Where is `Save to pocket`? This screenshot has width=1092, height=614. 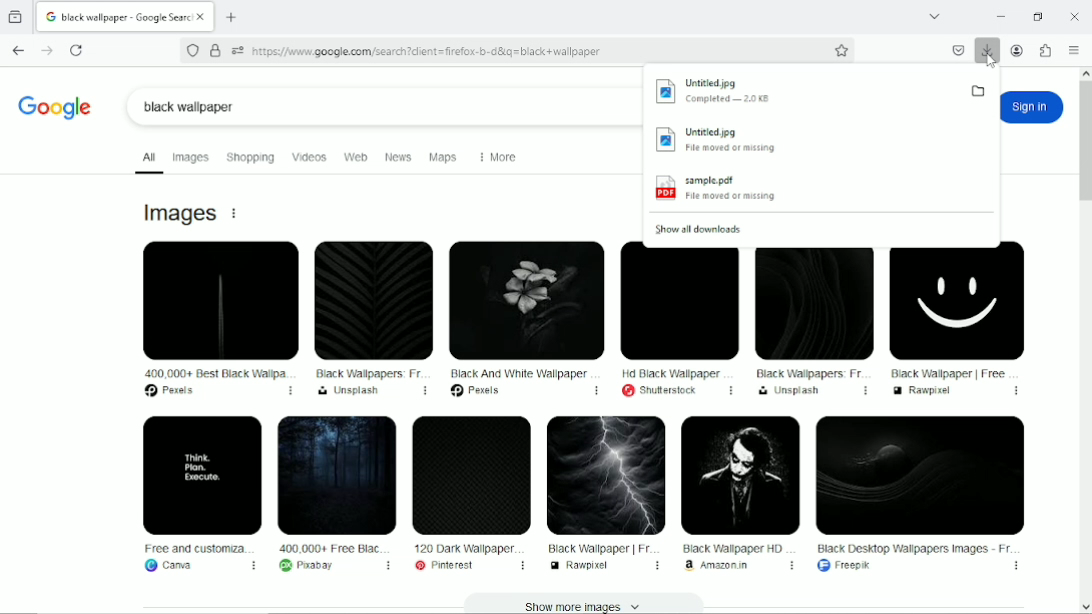 Save to pocket is located at coordinates (958, 50).